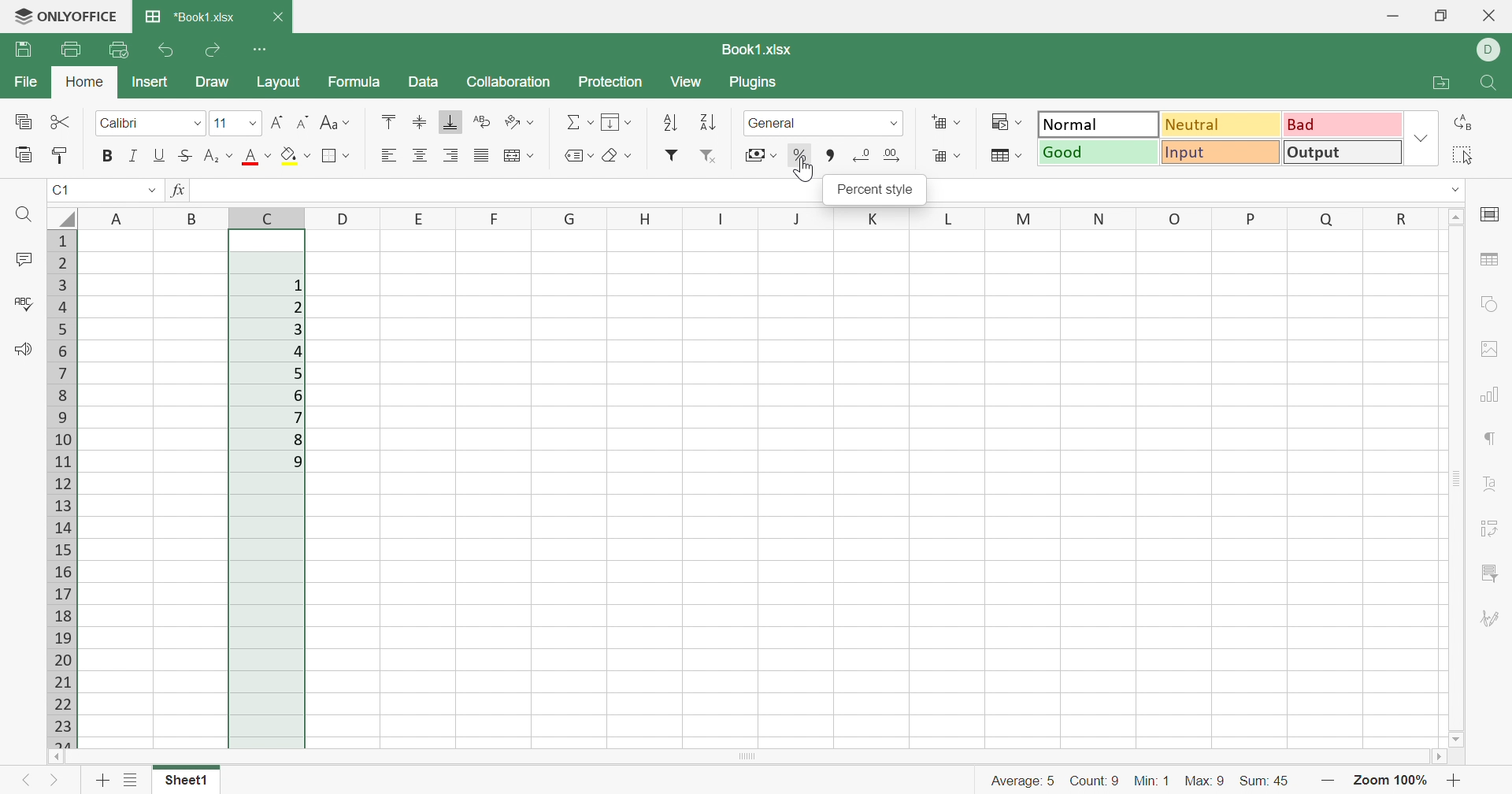 This screenshot has height=794, width=1512. I want to click on Signature settings, so click(1492, 619).